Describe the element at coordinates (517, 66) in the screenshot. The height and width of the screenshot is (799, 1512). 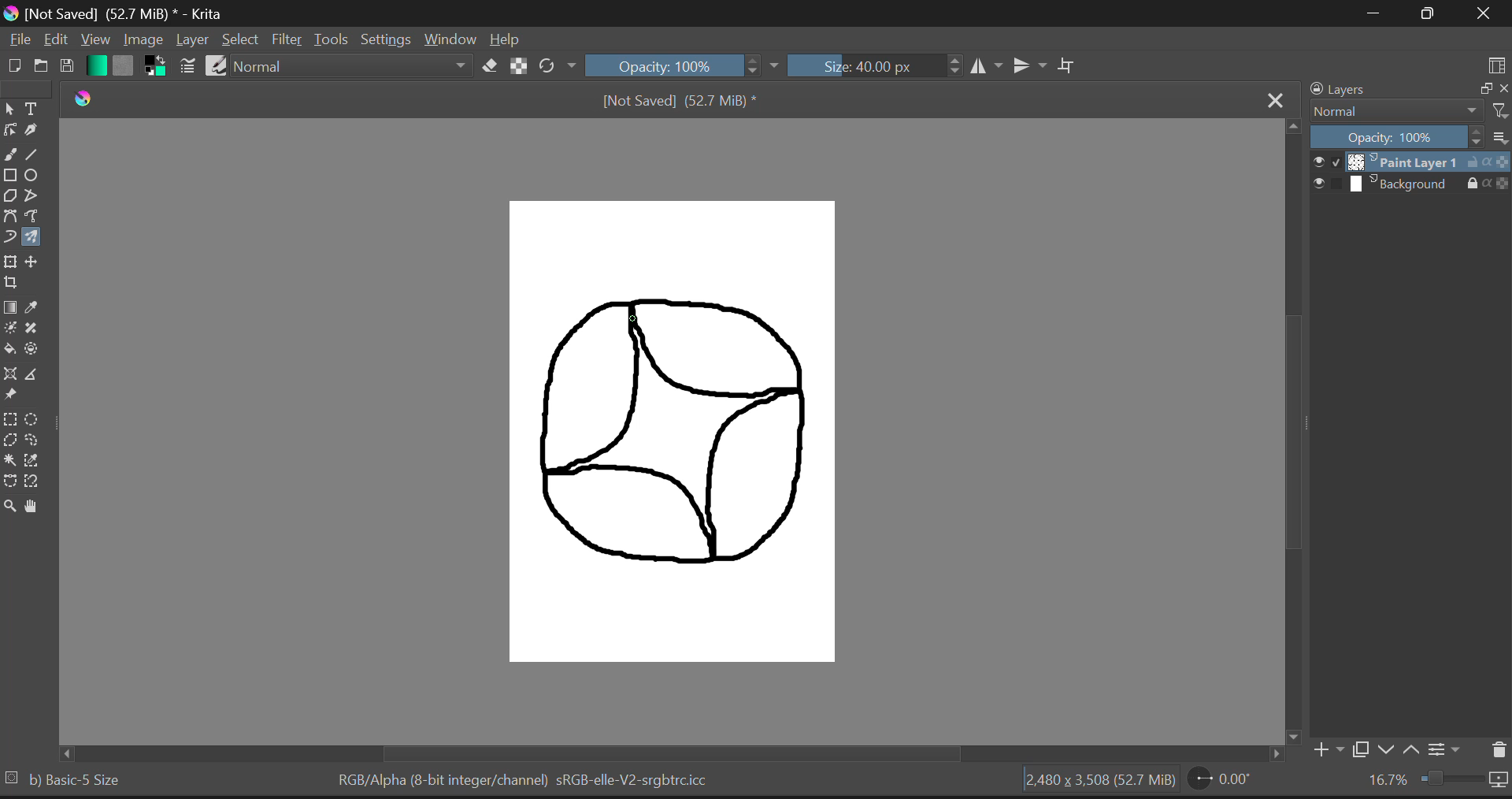
I see `Lock Al` at that location.